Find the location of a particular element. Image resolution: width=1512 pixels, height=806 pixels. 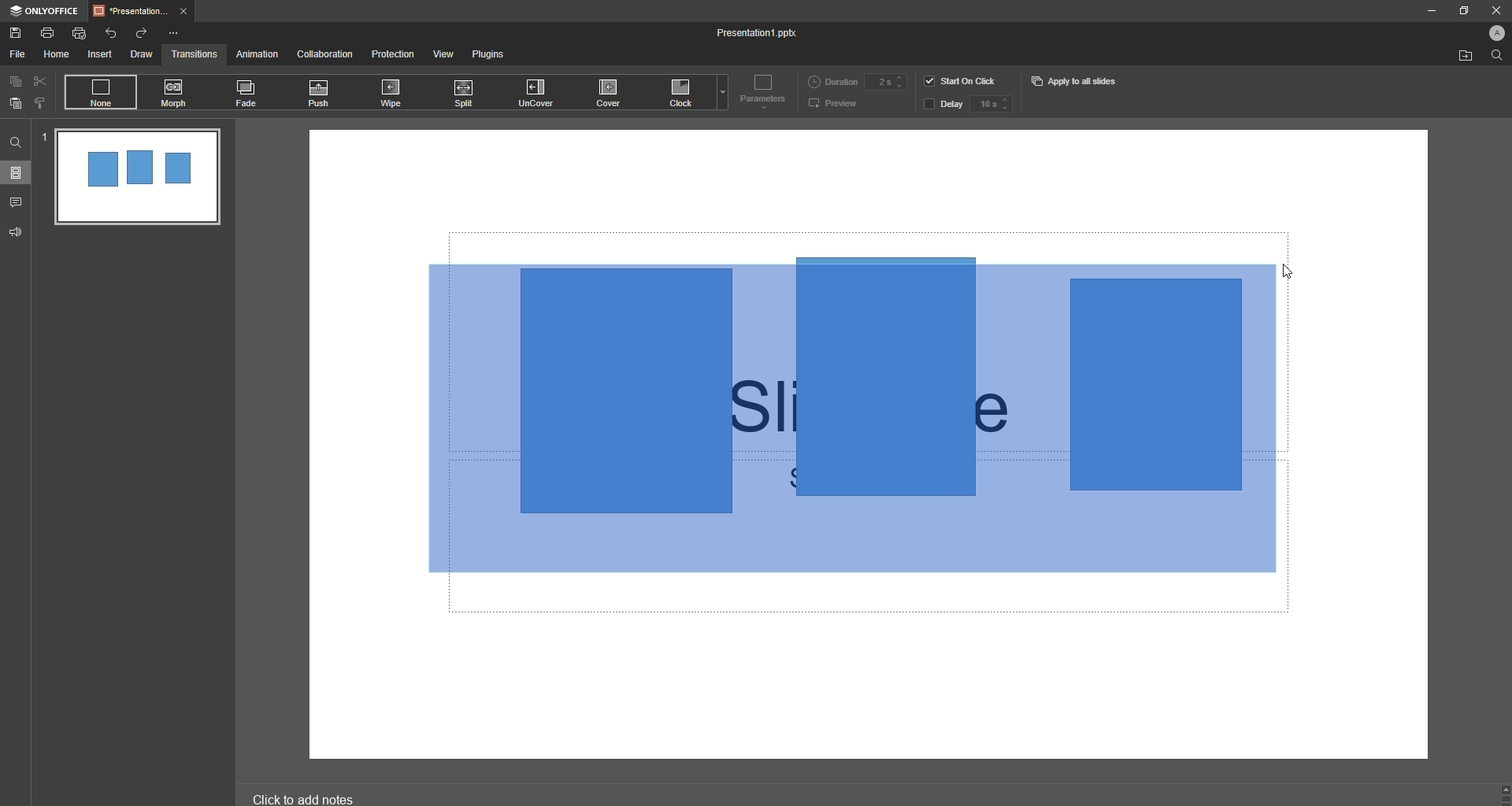

Start on click is located at coordinates (962, 80).